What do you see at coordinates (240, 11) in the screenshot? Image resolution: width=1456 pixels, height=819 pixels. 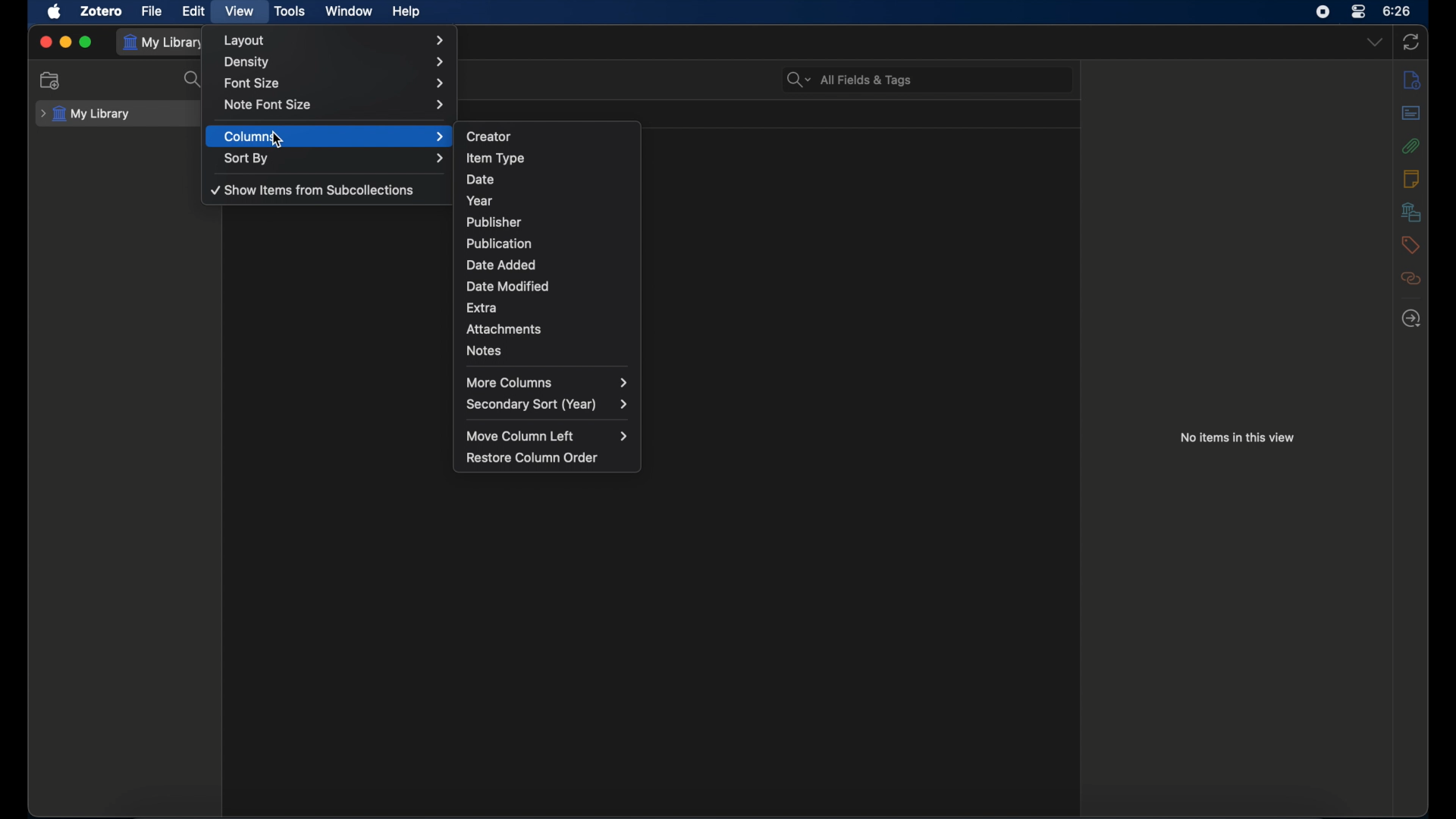 I see `view` at bounding box center [240, 11].